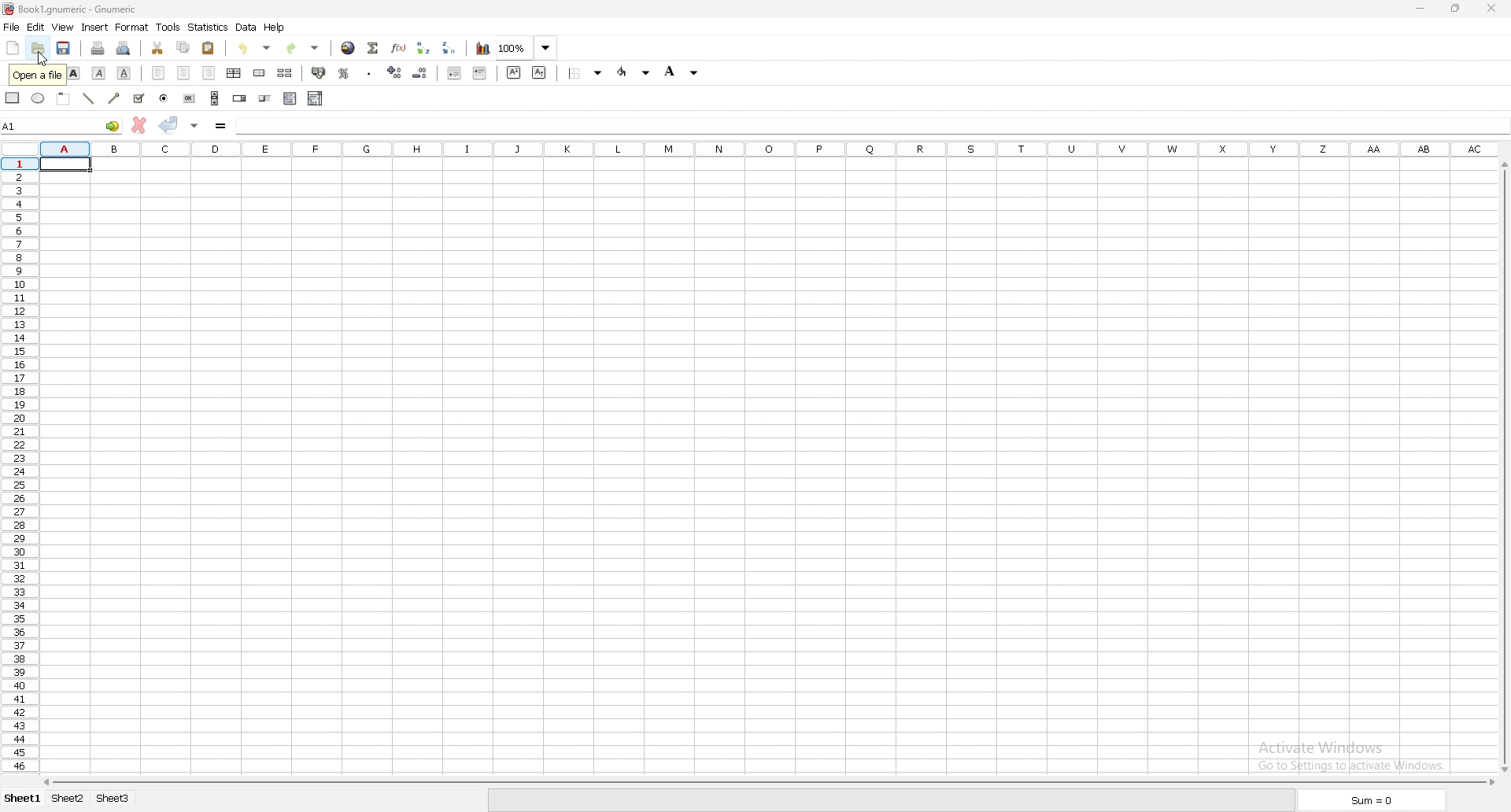 This screenshot has height=812, width=1511. What do you see at coordinates (235, 73) in the screenshot?
I see `centre horizontally` at bounding box center [235, 73].